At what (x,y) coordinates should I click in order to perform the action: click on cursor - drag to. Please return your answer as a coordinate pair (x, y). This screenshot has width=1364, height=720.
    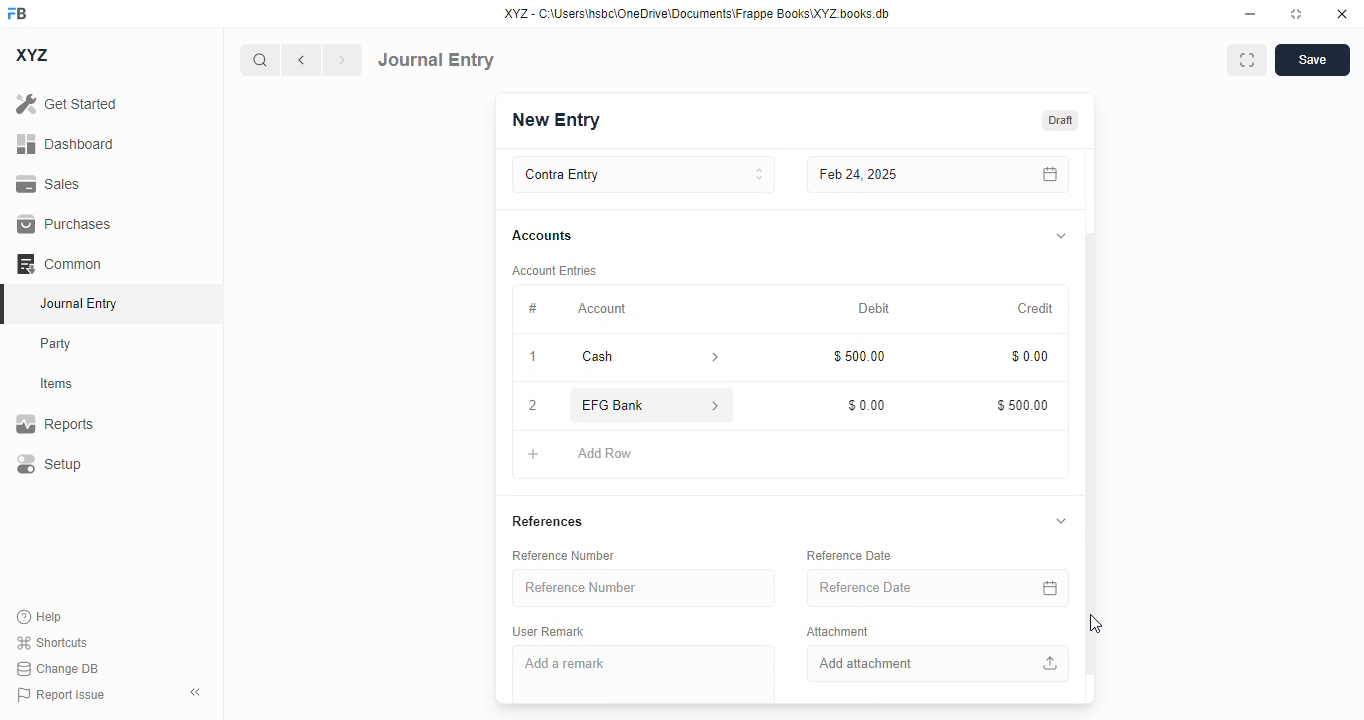
    Looking at the image, I should click on (1097, 624).